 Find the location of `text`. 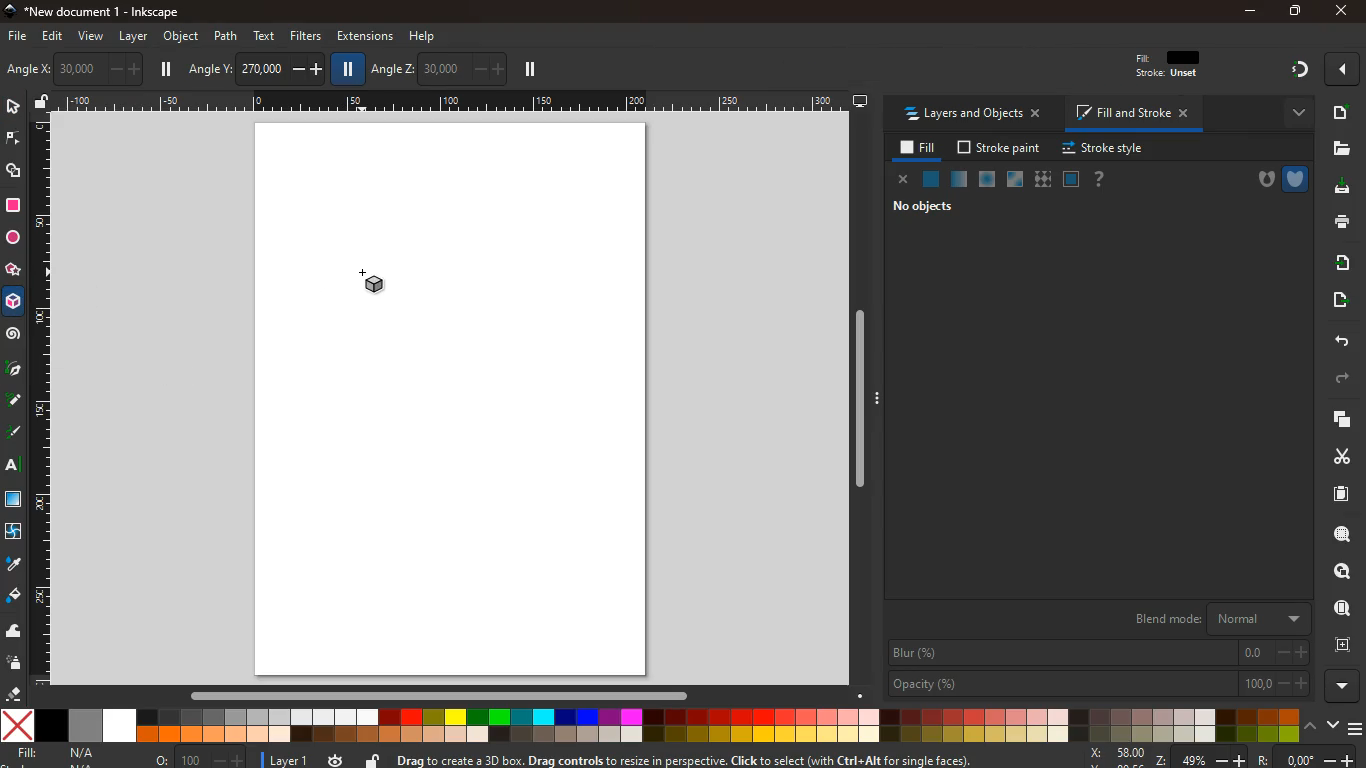

text is located at coordinates (10, 466).